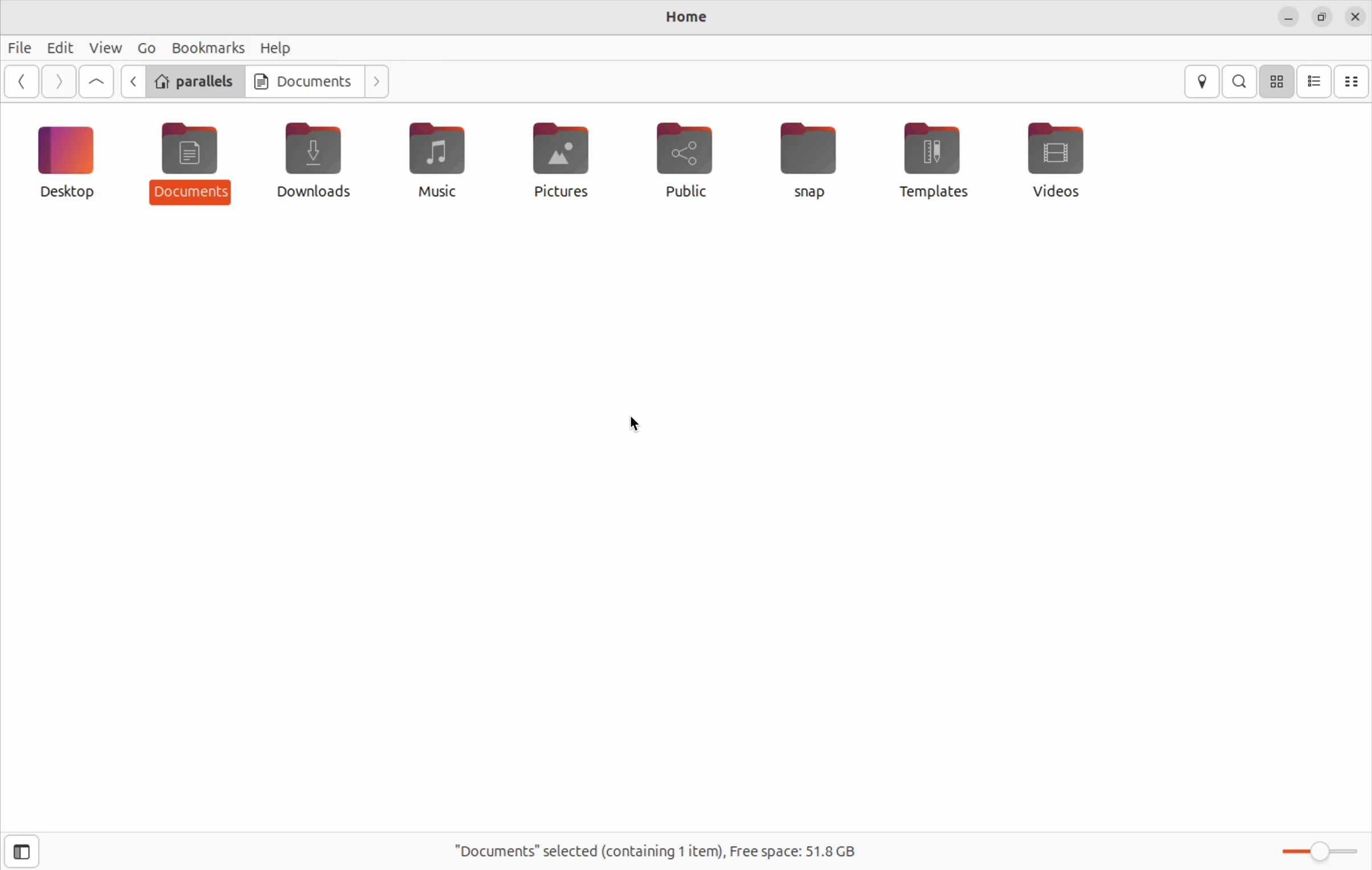  I want to click on Go up, so click(98, 80).